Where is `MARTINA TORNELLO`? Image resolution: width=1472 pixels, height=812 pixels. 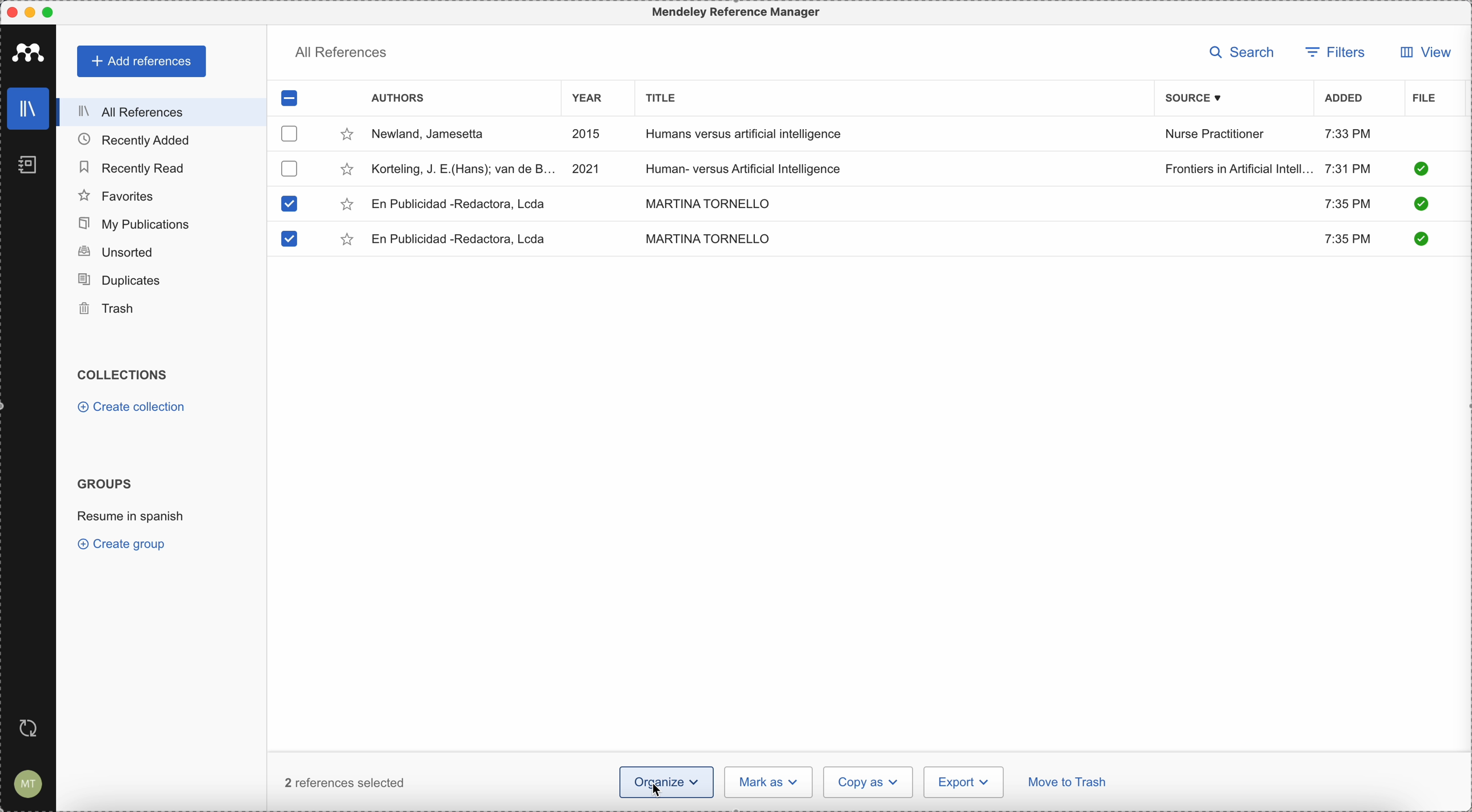
MARTINA TORNELLO is located at coordinates (707, 238).